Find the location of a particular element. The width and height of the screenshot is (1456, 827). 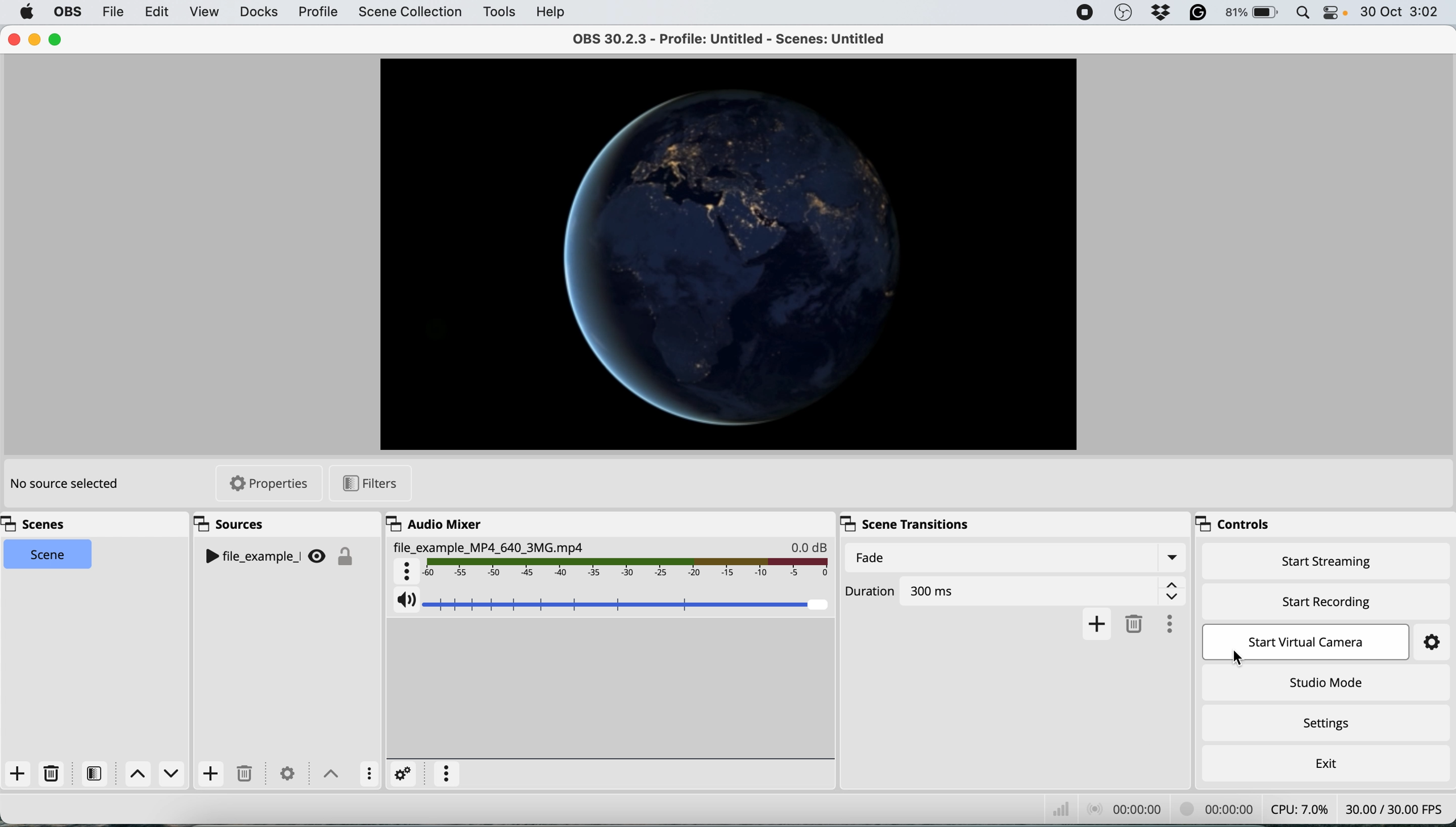

filters is located at coordinates (97, 774).